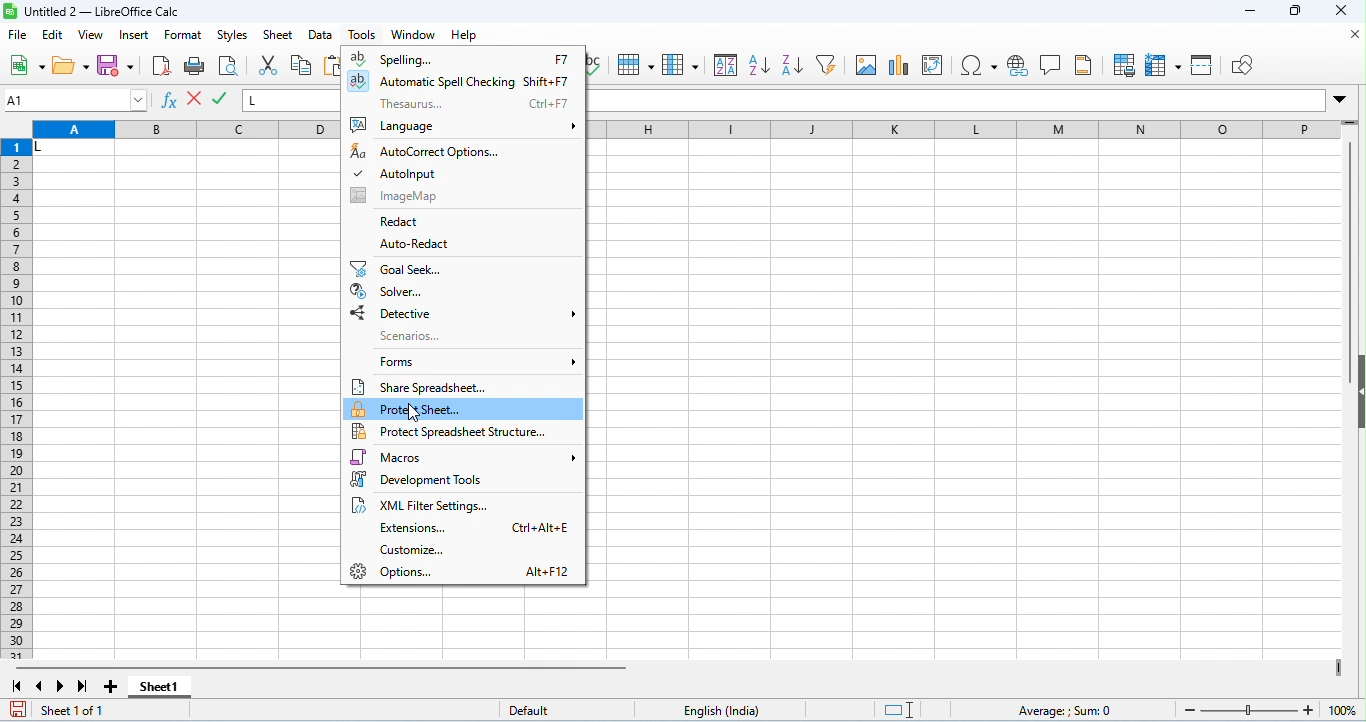  What do you see at coordinates (27, 67) in the screenshot?
I see `new` at bounding box center [27, 67].